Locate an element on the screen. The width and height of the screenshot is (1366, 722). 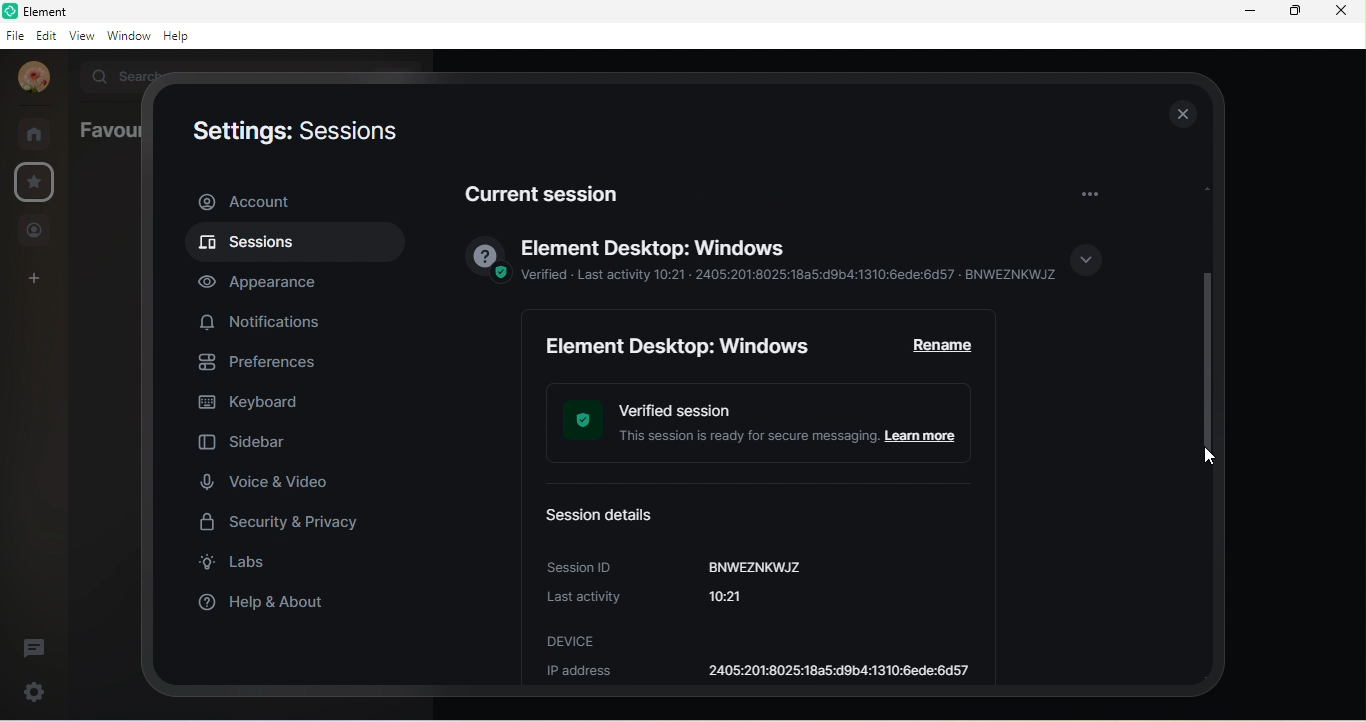
verified image is located at coordinates (484, 262).